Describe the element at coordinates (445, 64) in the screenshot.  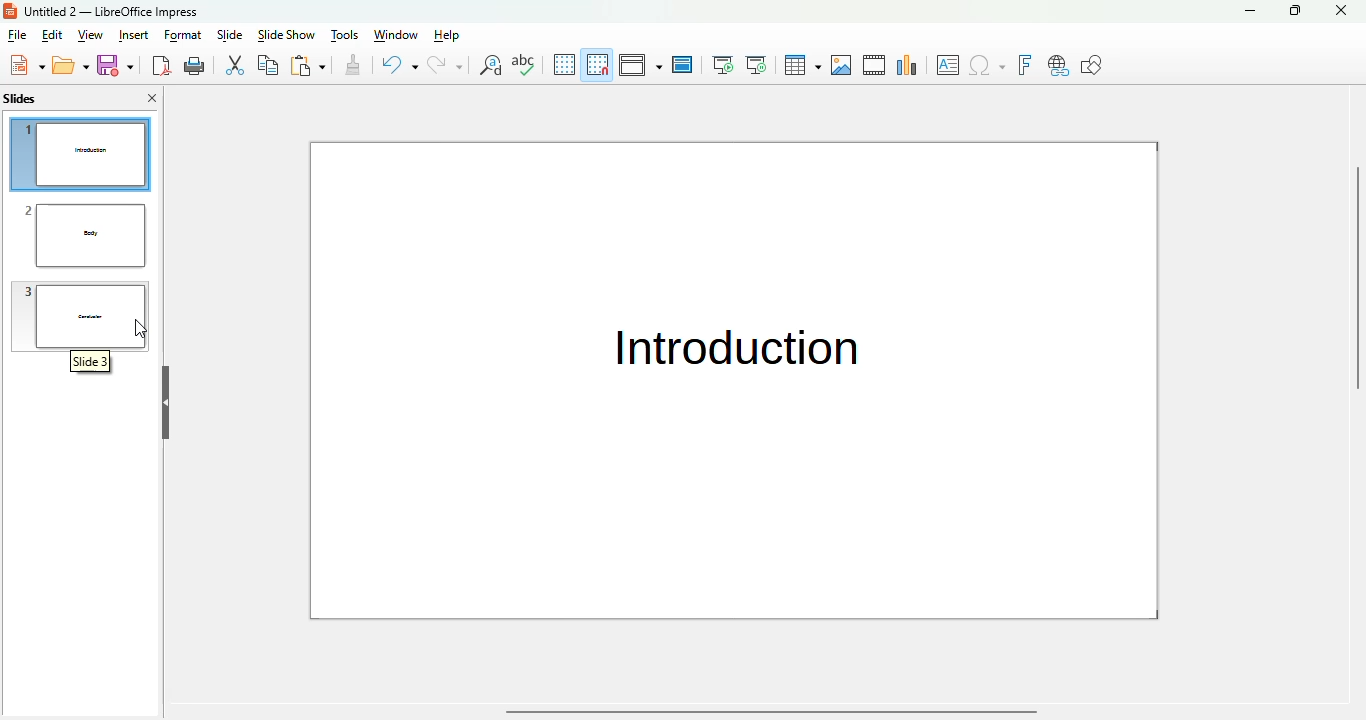
I see `redo` at that location.